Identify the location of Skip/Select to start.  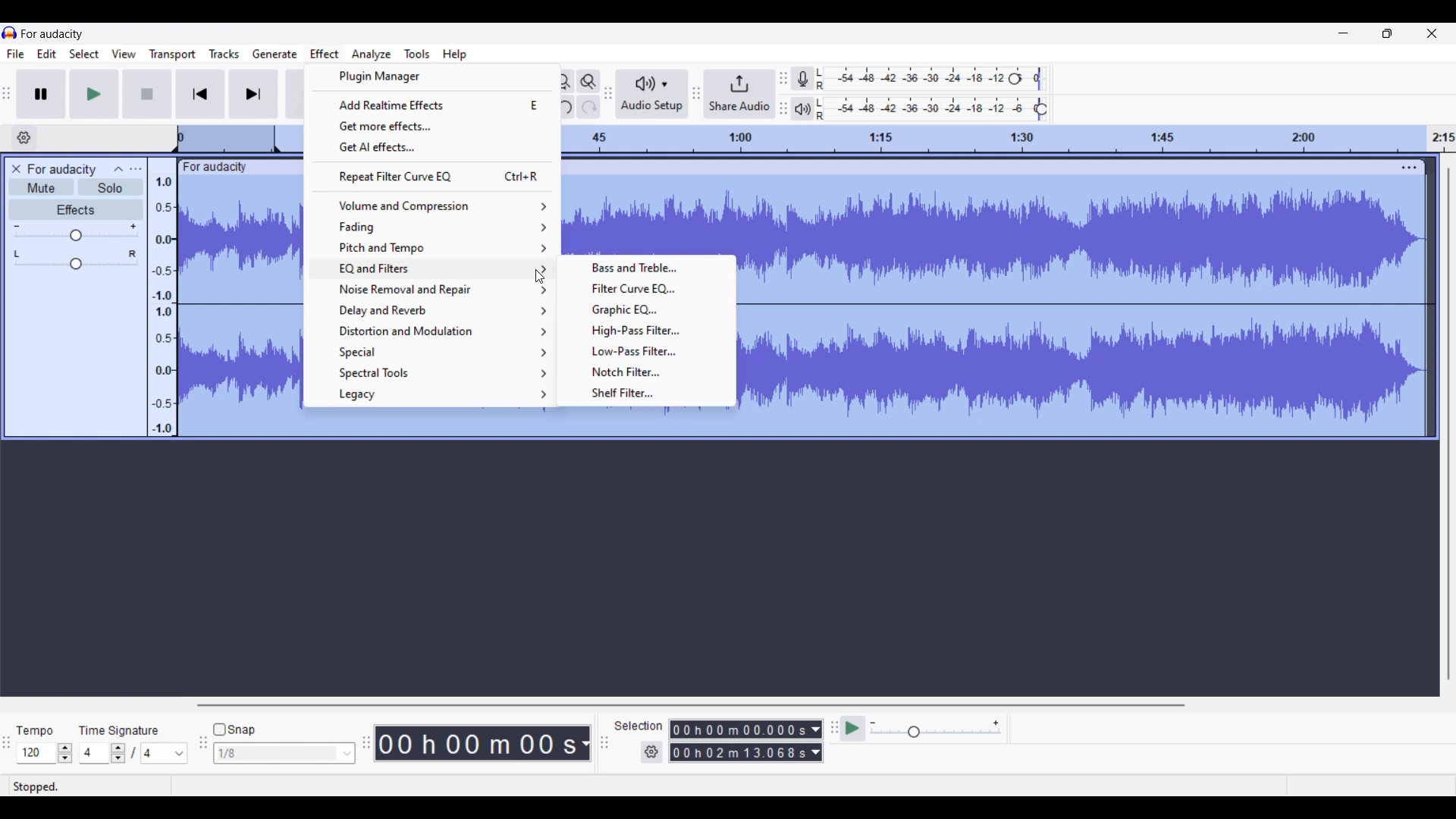
(200, 94).